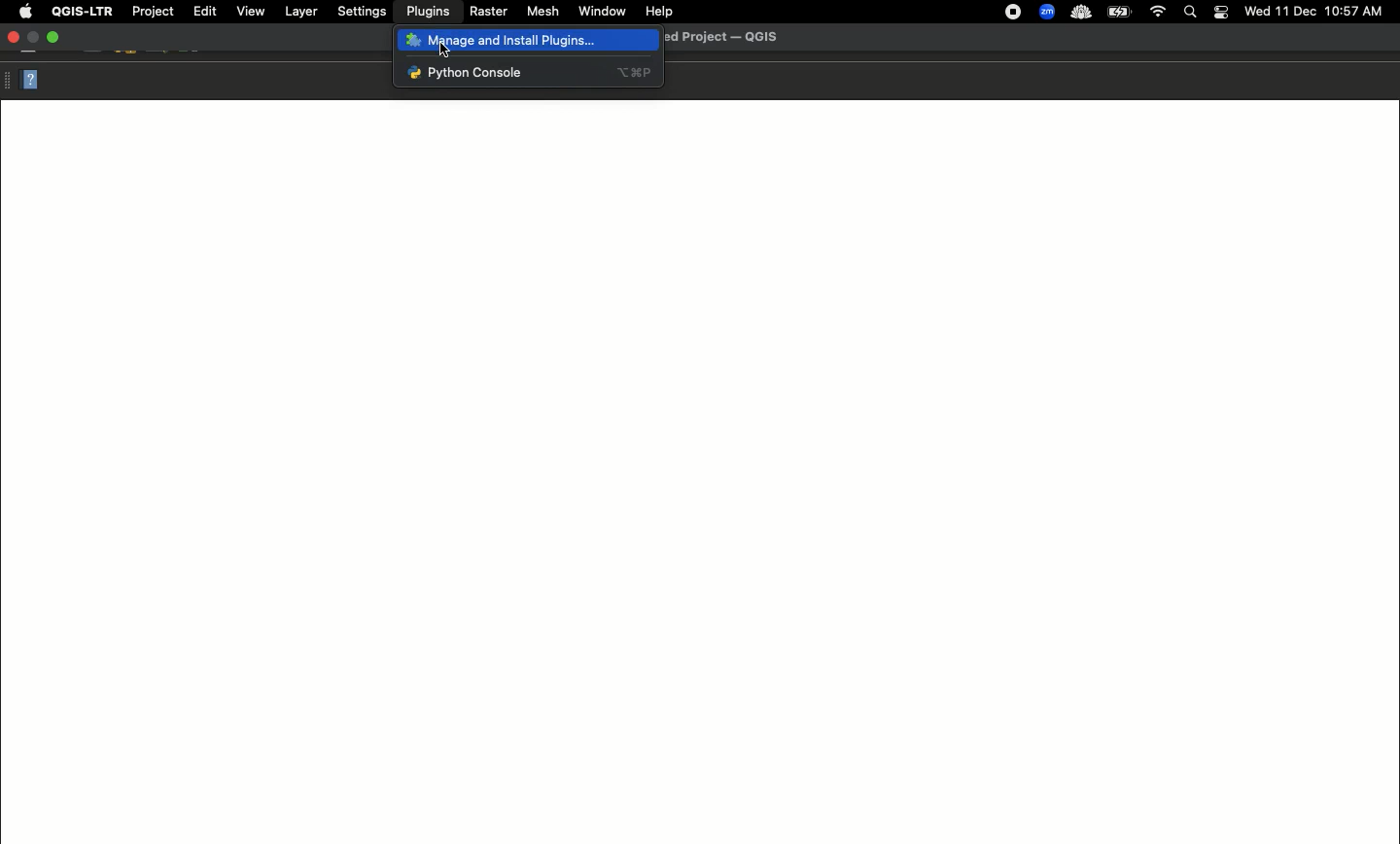 Image resolution: width=1400 pixels, height=844 pixels. I want to click on Plugins, so click(427, 10).